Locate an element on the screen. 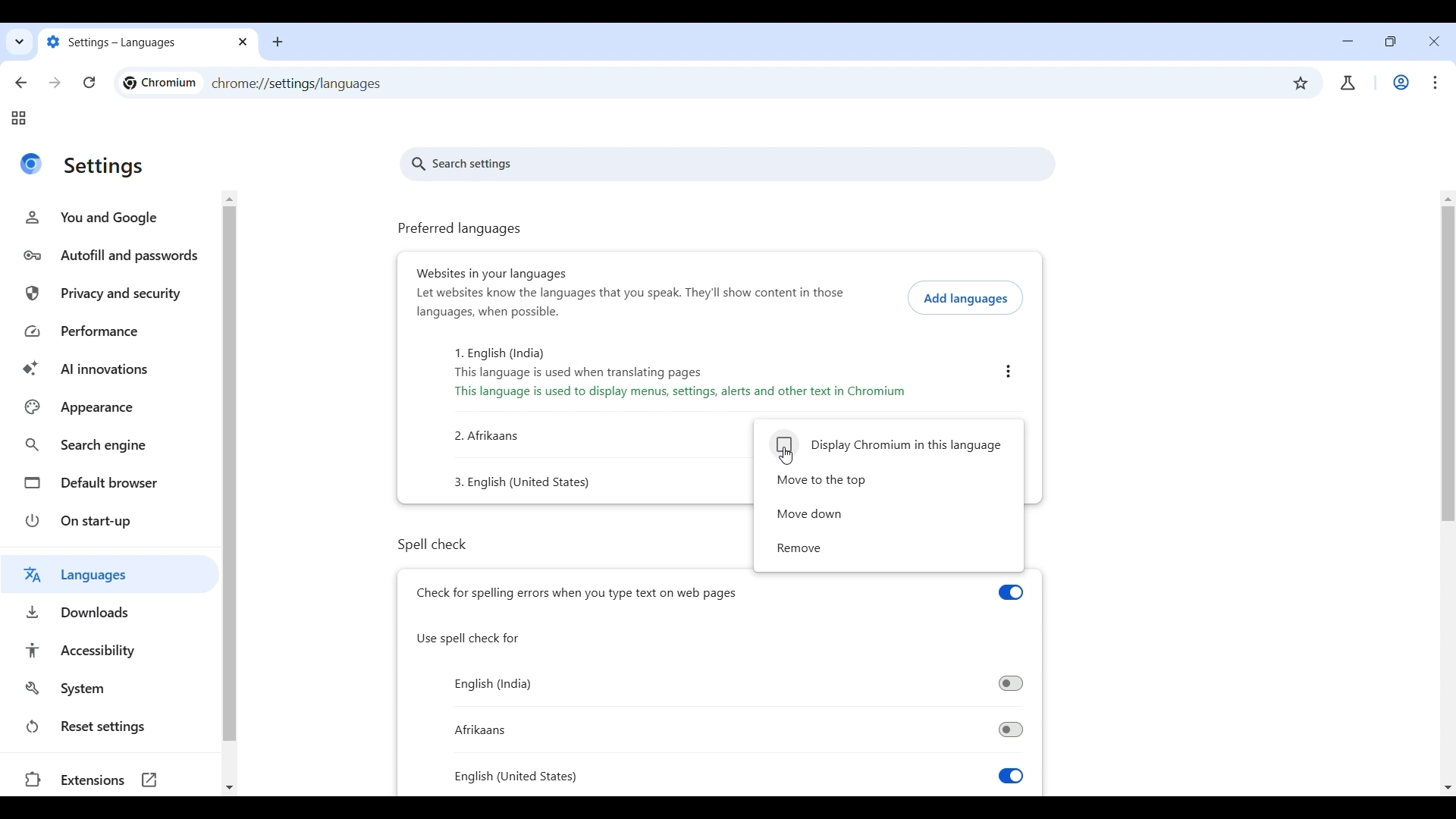  Quick slide to bottom is located at coordinates (1448, 788).